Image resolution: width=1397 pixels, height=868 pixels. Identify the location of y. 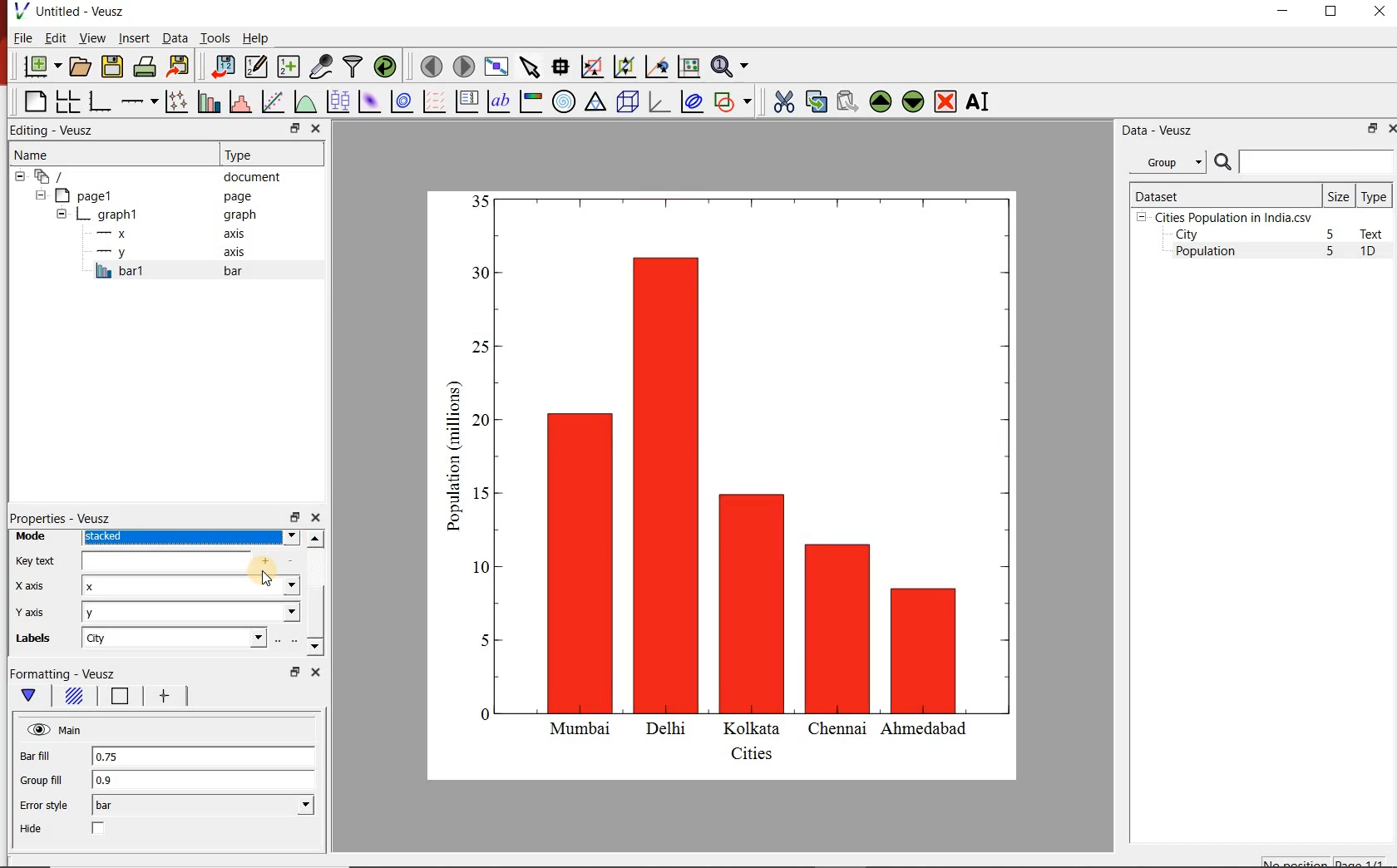
(191, 611).